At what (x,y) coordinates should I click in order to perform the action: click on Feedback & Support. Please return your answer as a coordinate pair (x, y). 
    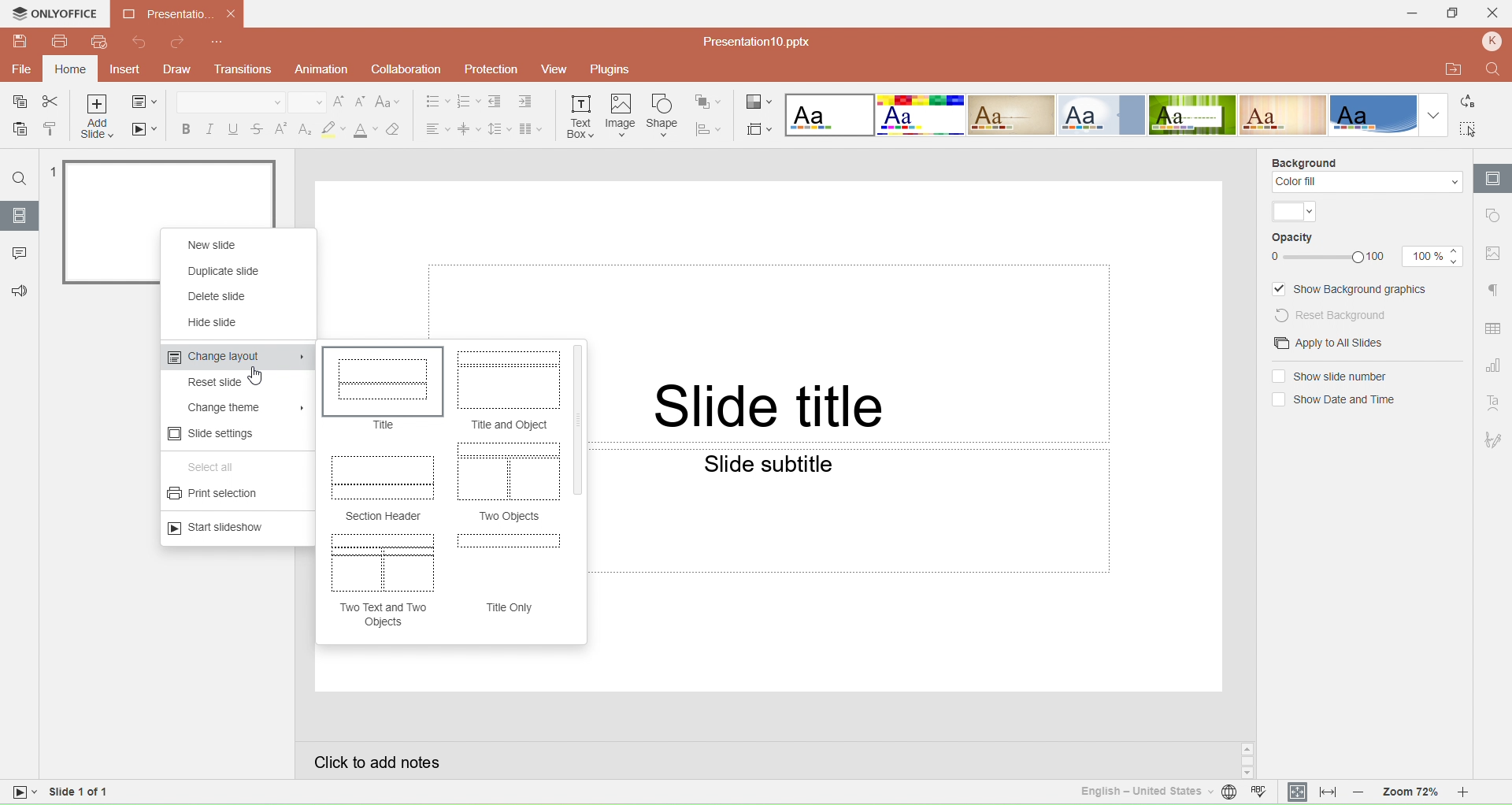
    Looking at the image, I should click on (17, 291).